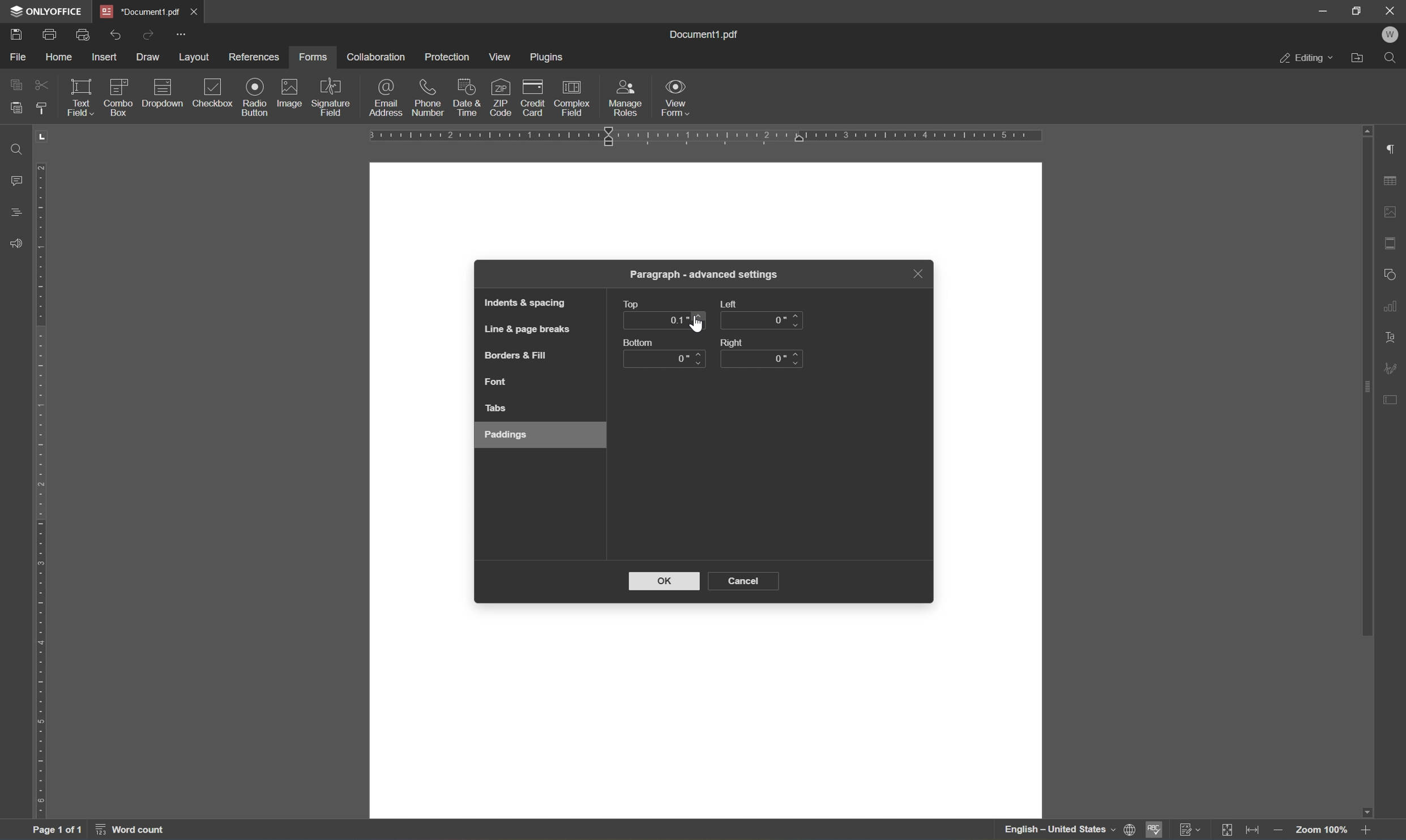 This screenshot has height=840, width=1406. Describe the element at coordinates (1391, 183) in the screenshot. I see `table settings` at that location.